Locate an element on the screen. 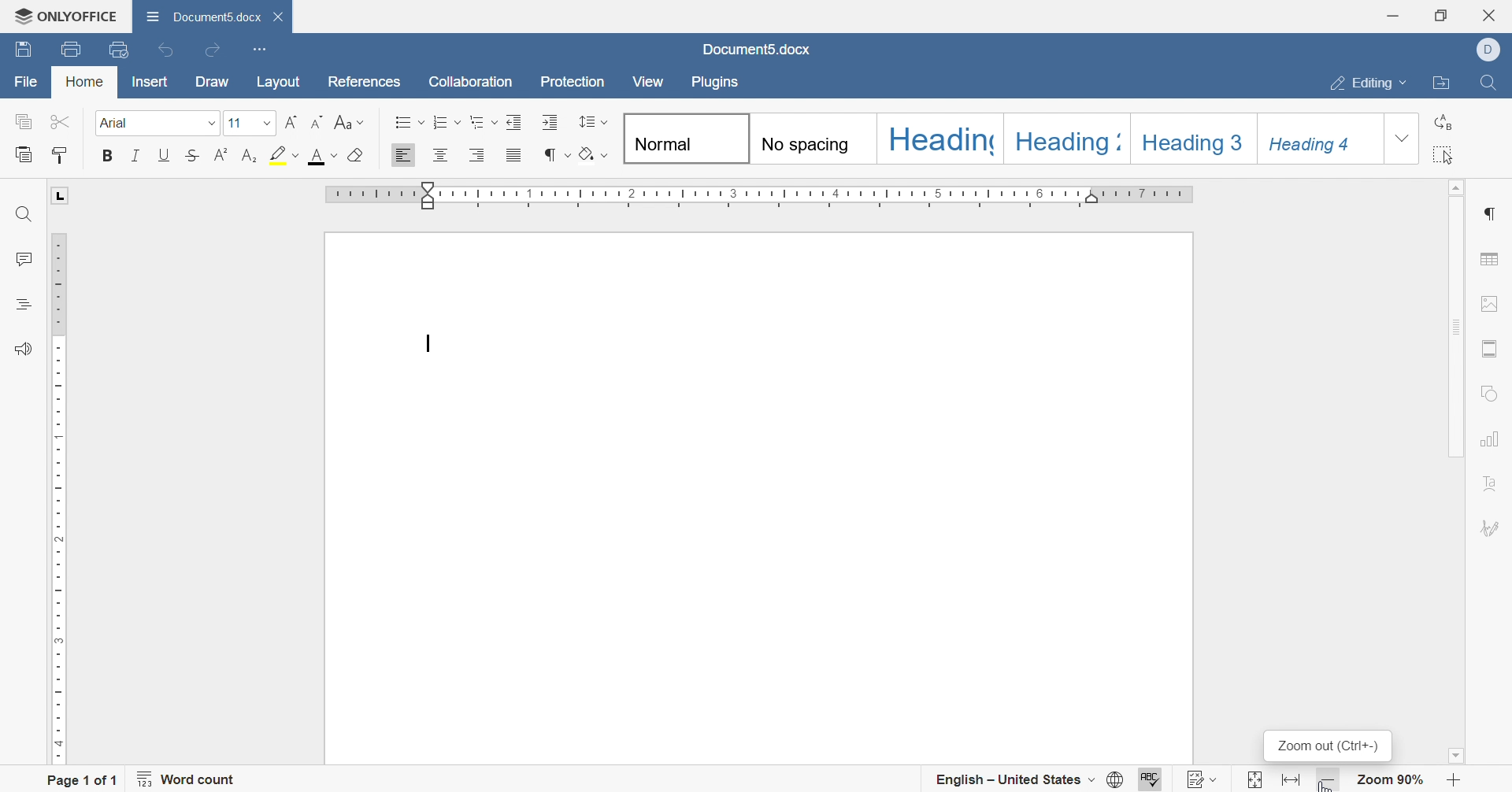  Heading 1 is located at coordinates (936, 138).